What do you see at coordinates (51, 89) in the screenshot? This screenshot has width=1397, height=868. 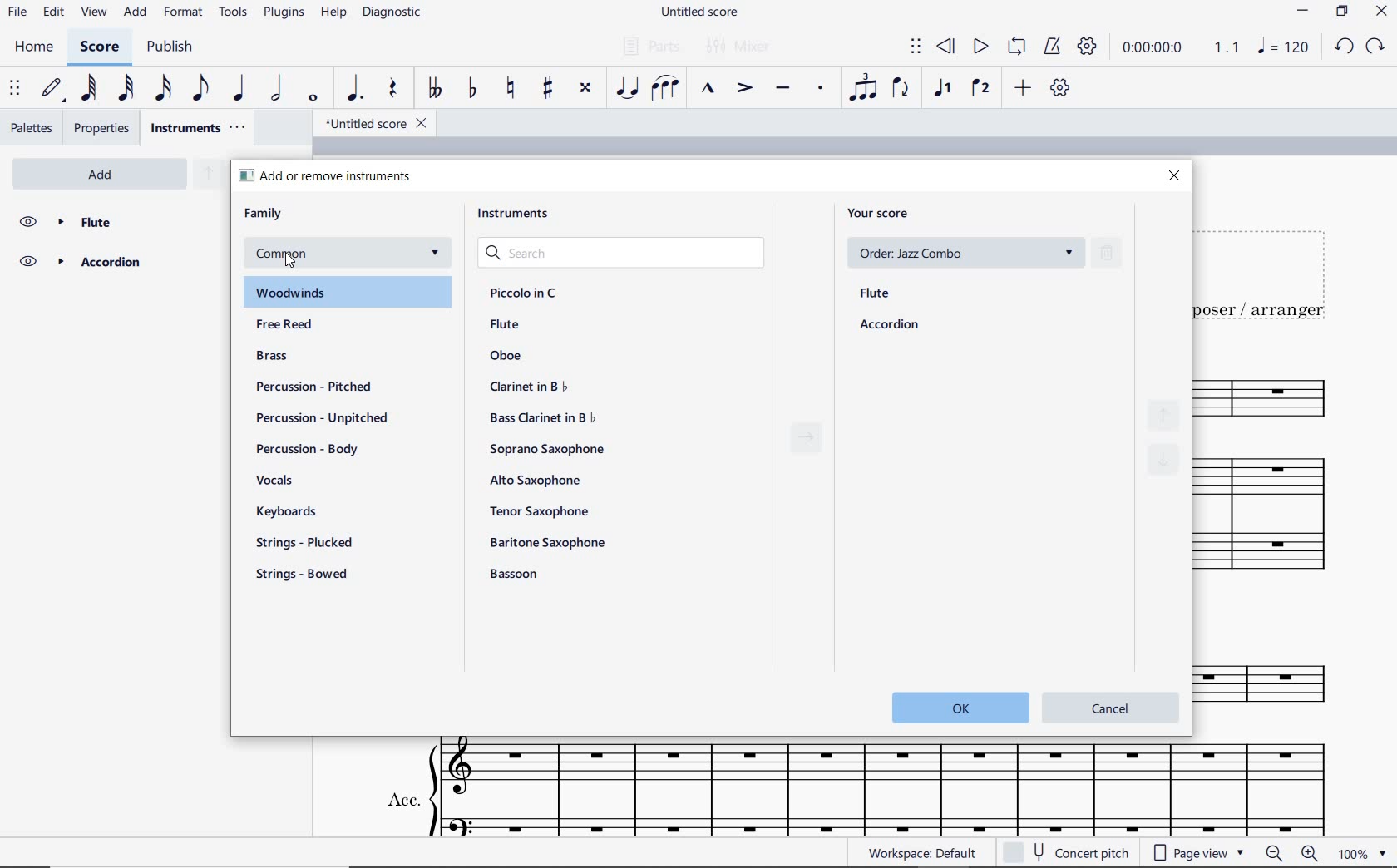 I see `default (step time)` at bounding box center [51, 89].